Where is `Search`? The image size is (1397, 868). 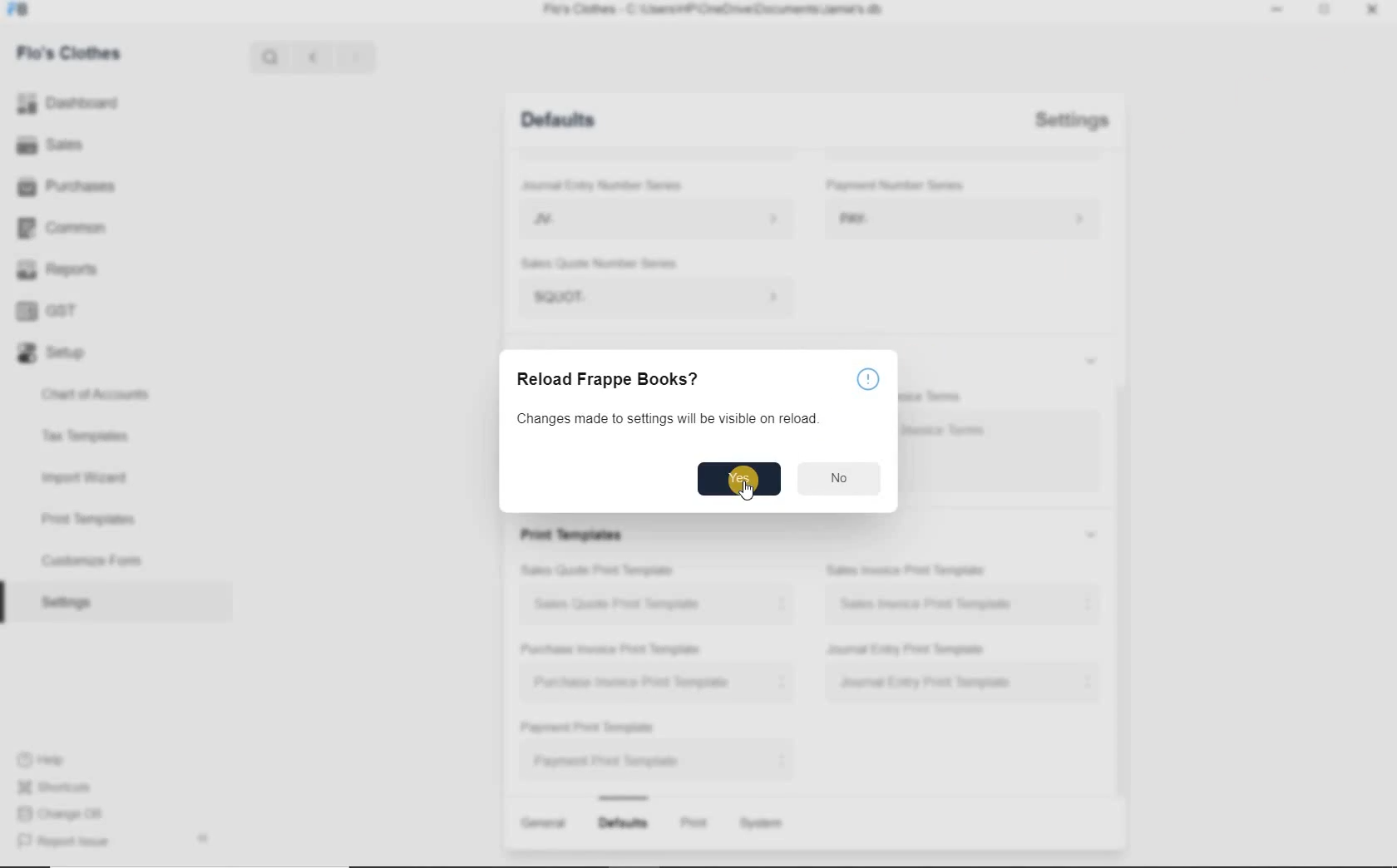 Search is located at coordinates (268, 55).